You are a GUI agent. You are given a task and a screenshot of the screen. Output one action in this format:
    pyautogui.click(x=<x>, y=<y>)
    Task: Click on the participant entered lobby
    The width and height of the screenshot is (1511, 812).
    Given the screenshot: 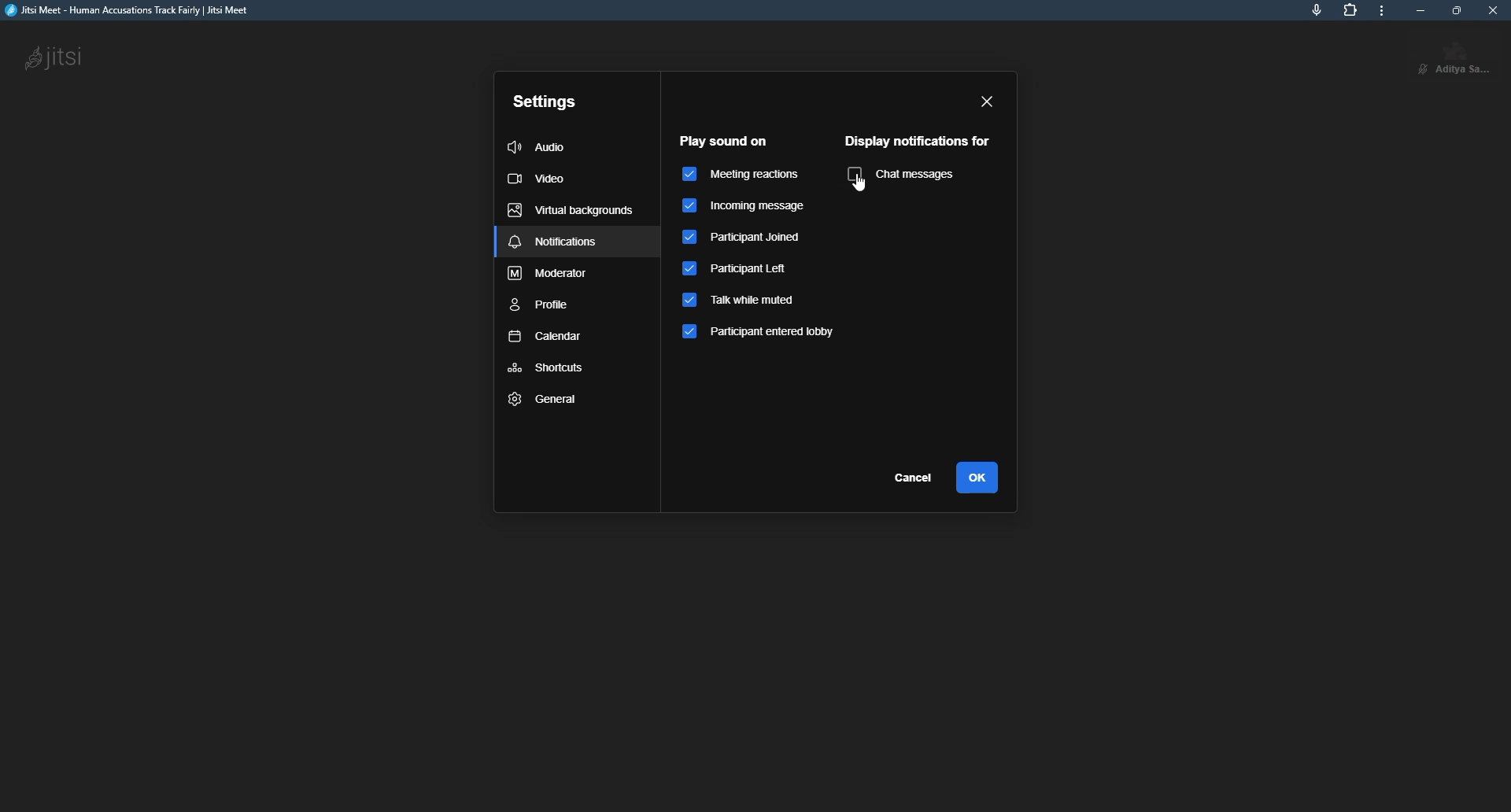 What is the action you would take?
    pyautogui.click(x=766, y=334)
    